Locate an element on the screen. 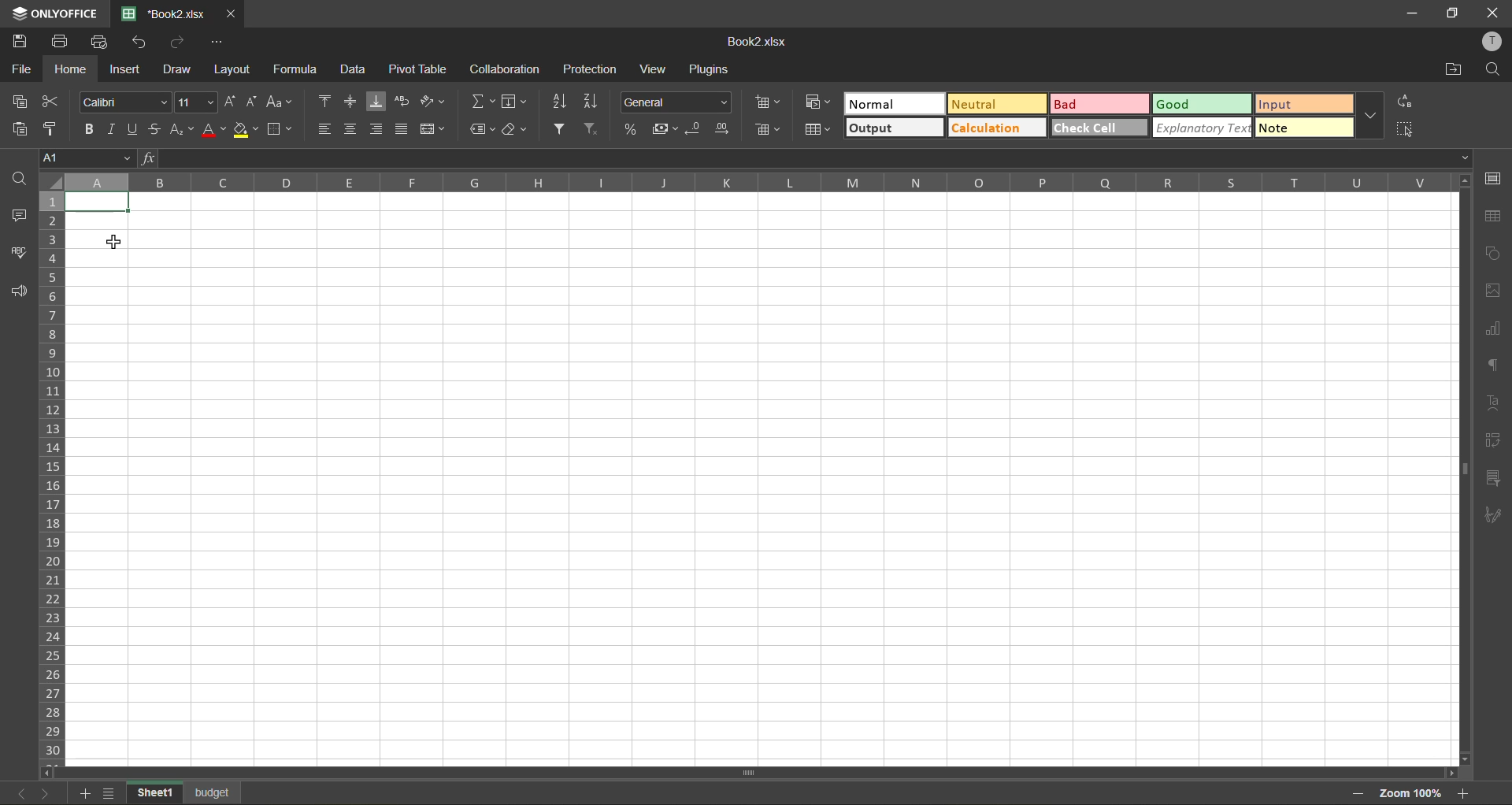 Image resolution: width=1512 pixels, height=805 pixels. note is located at coordinates (1300, 128).